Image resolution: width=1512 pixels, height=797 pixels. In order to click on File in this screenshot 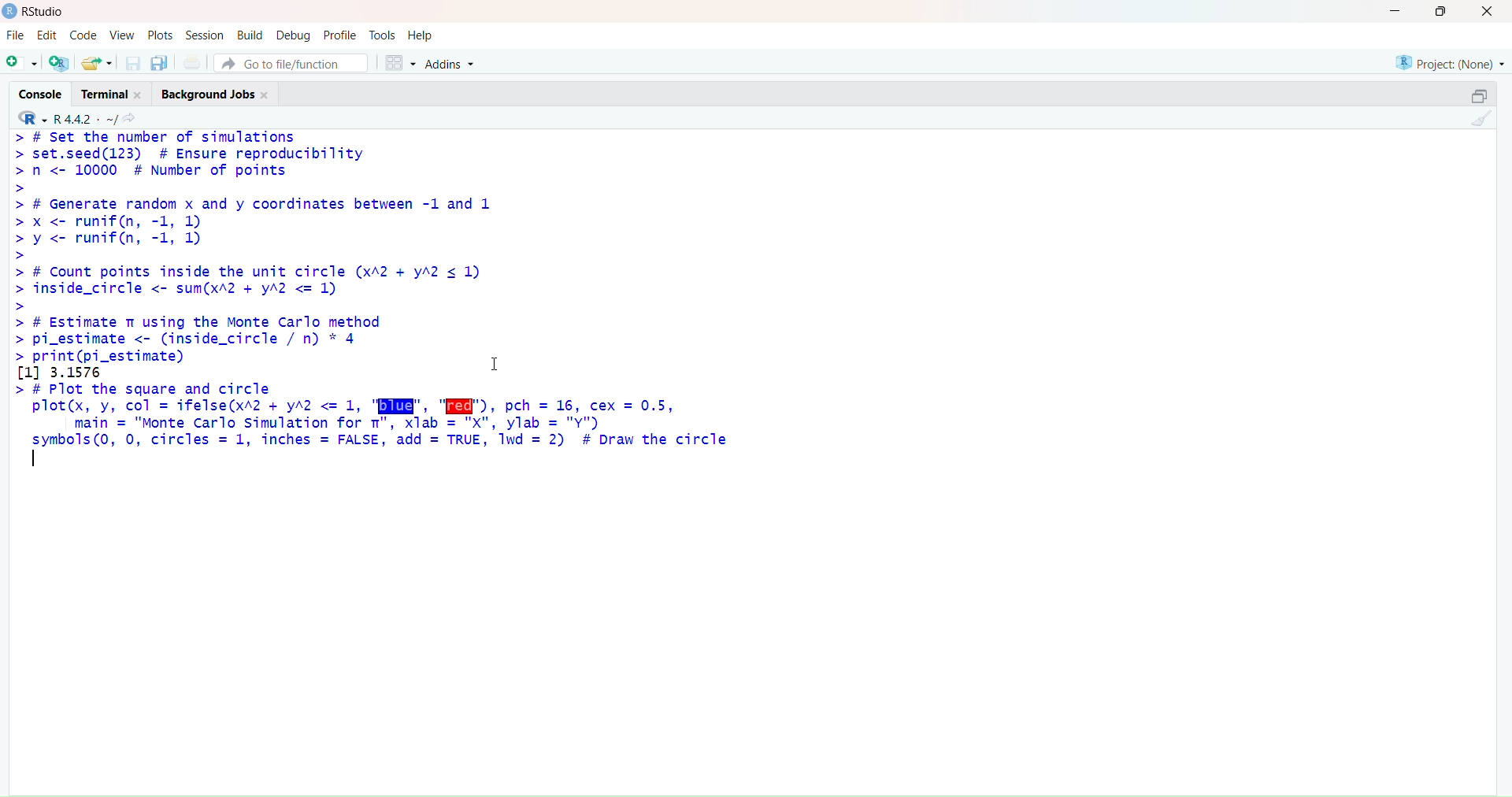, I will do `click(18, 35)`.